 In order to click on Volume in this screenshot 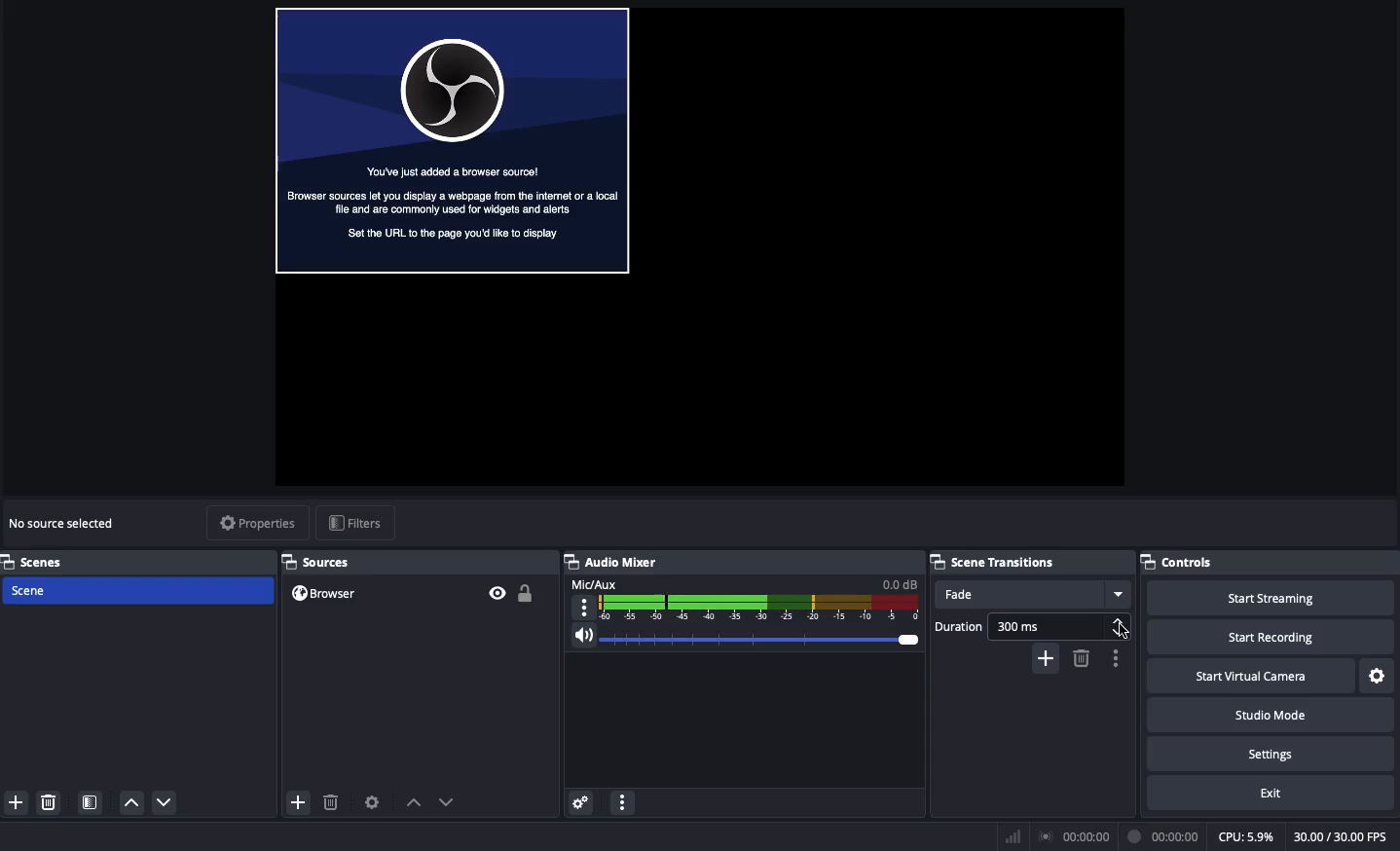, I will do `click(746, 639)`.